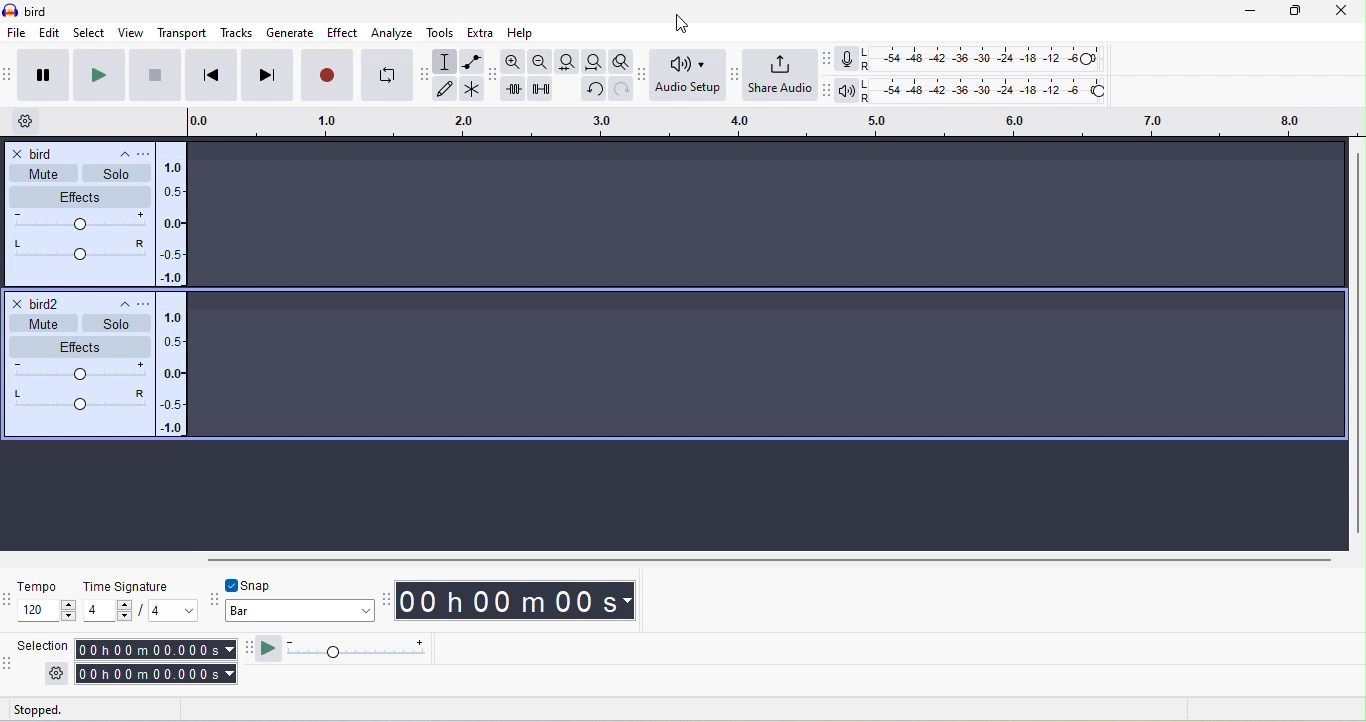 The image size is (1366, 722). I want to click on audacity edit tool, so click(491, 76).